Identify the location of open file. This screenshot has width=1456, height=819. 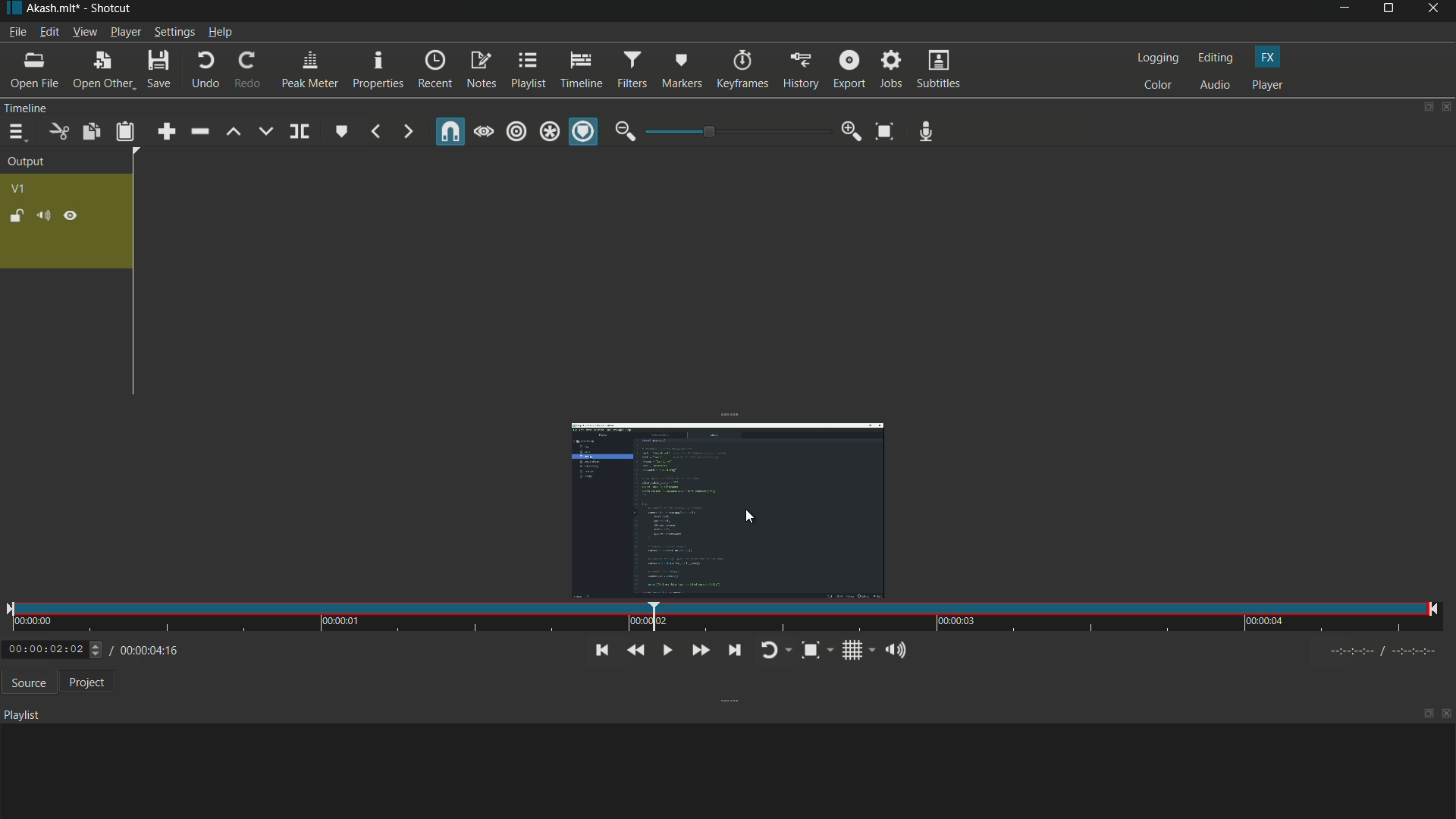
(33, 70).